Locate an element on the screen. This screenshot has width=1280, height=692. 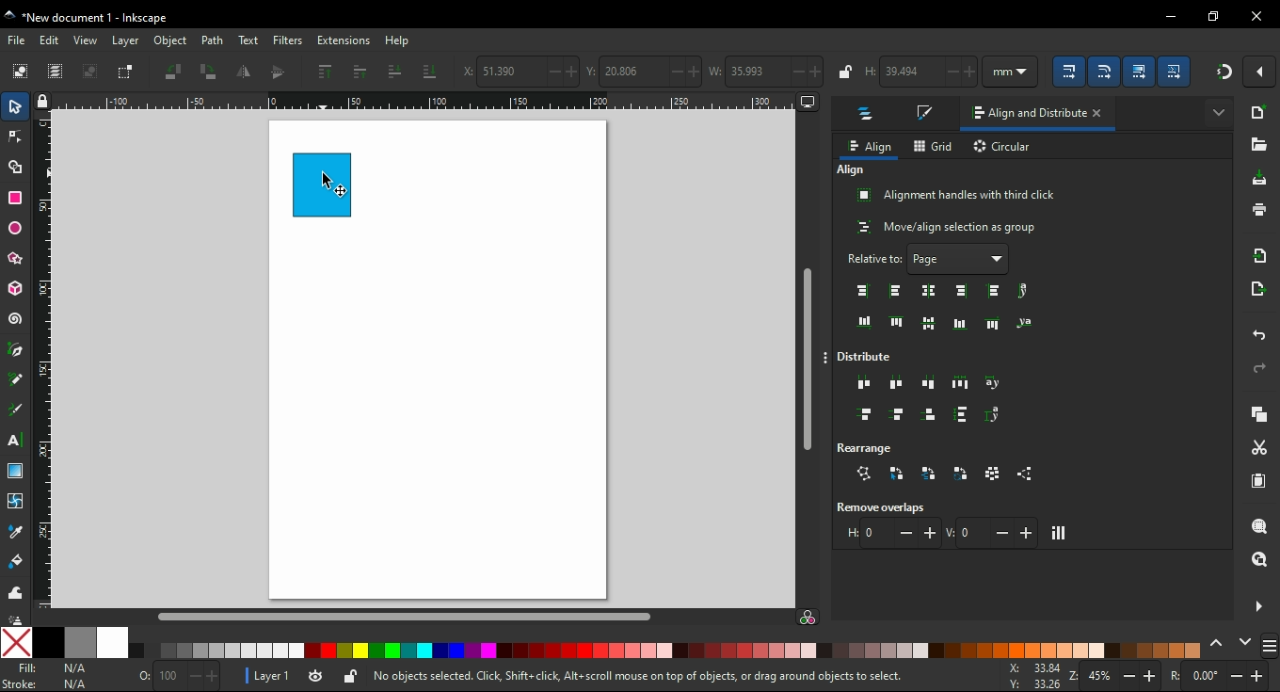
height of selection is located at coordinates (923, 72).